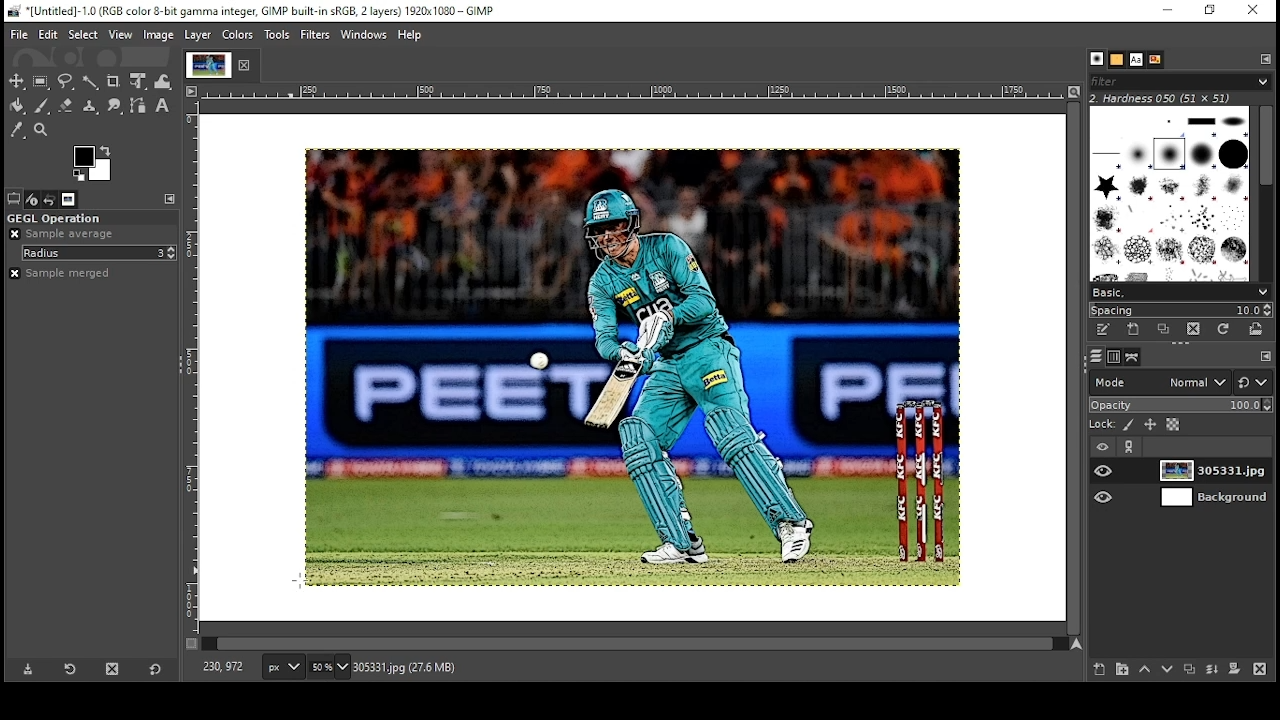  What do you see at coordinates (42, 106) in the screenshot?
I see `paintbrush tool` at bounding box center [42, 106].